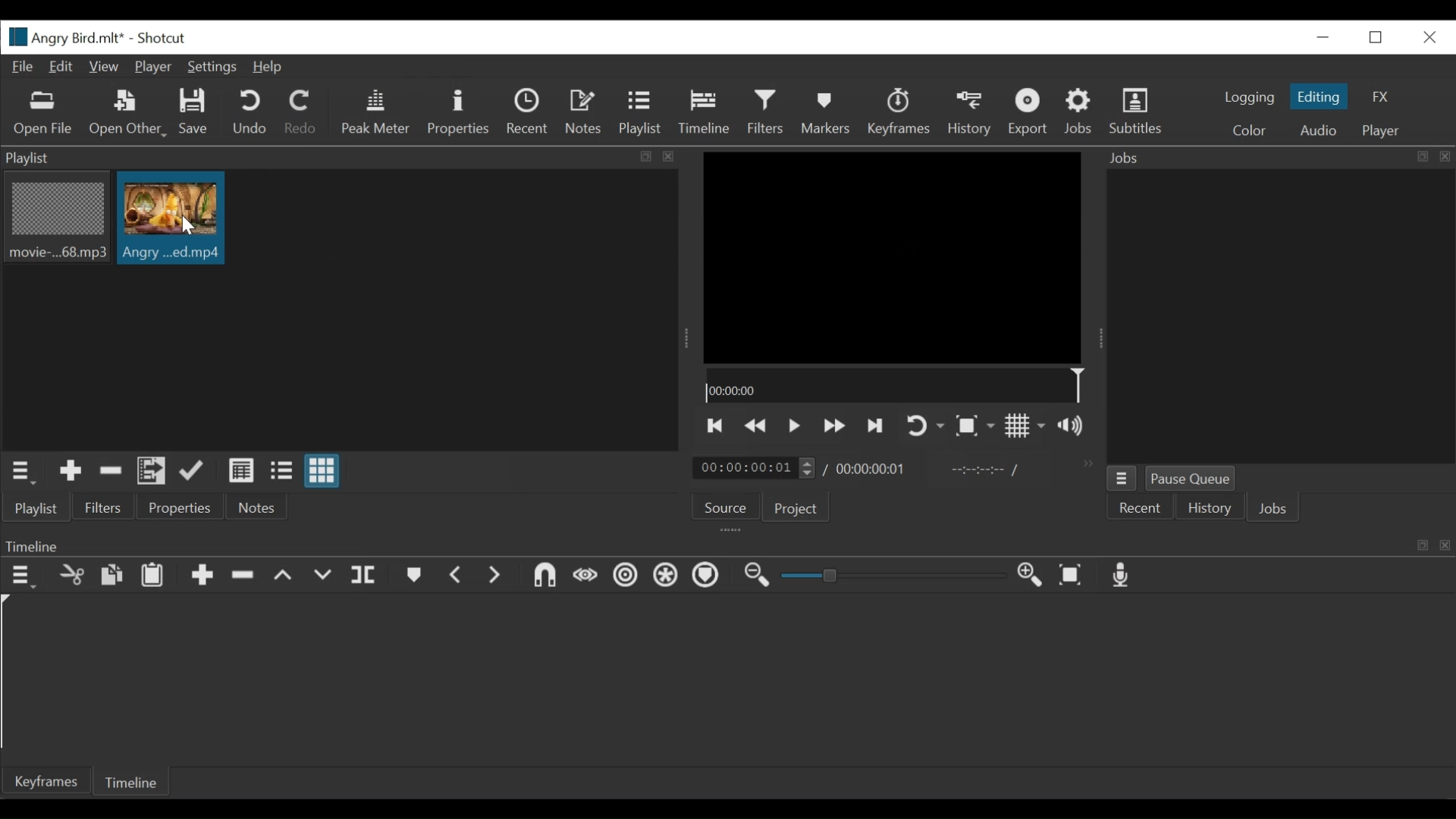 The height and width of the screenshot is (819, 1456). I want to click on Play quickly backward, so click(758, 427).